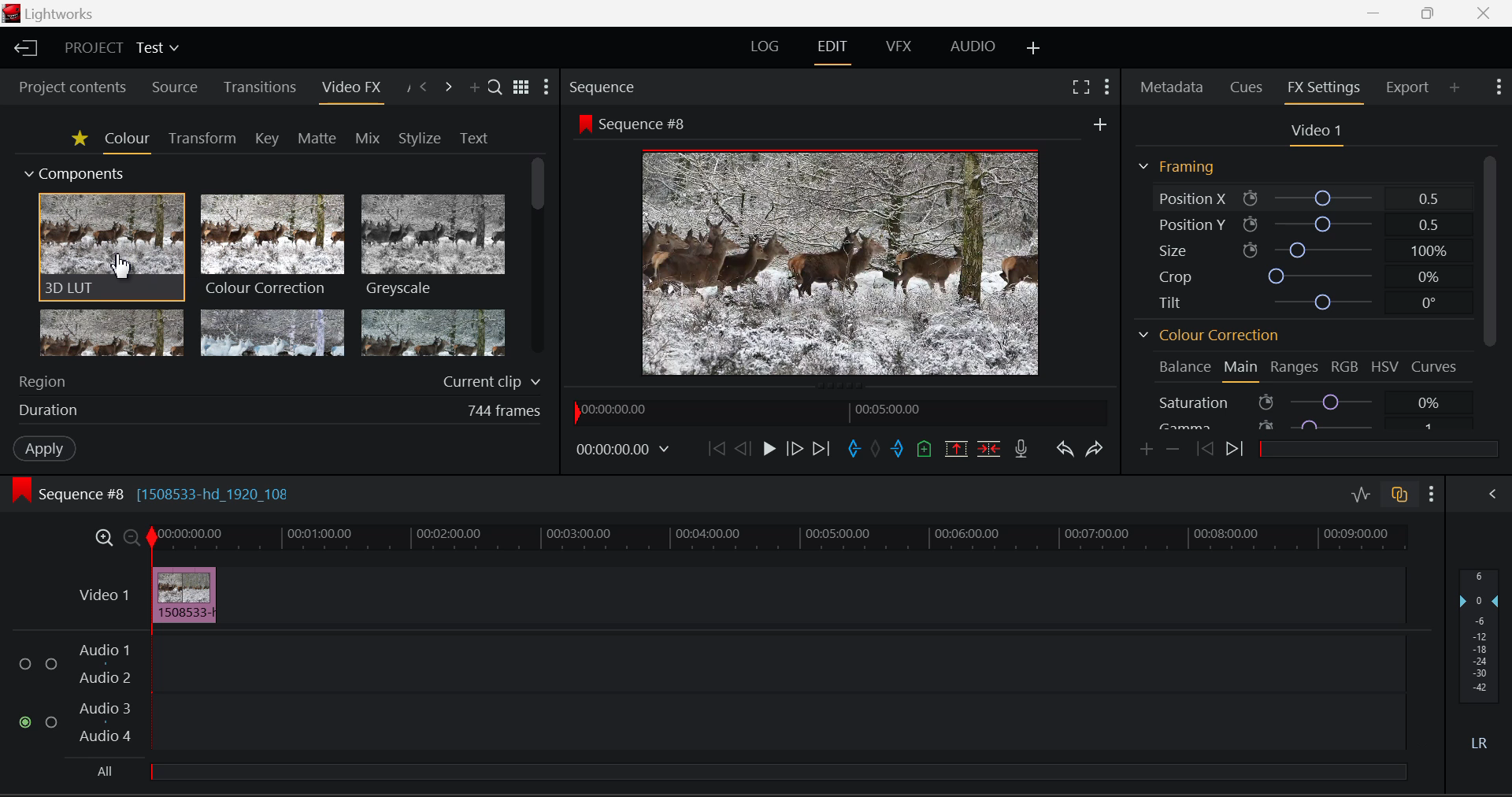 The width and height of the screenshot is (1512, 797). What do you see at coordinates (1399, 495) in the screenshot?
I see `Toggle auto track sync` at bounding box center [1399, 495].